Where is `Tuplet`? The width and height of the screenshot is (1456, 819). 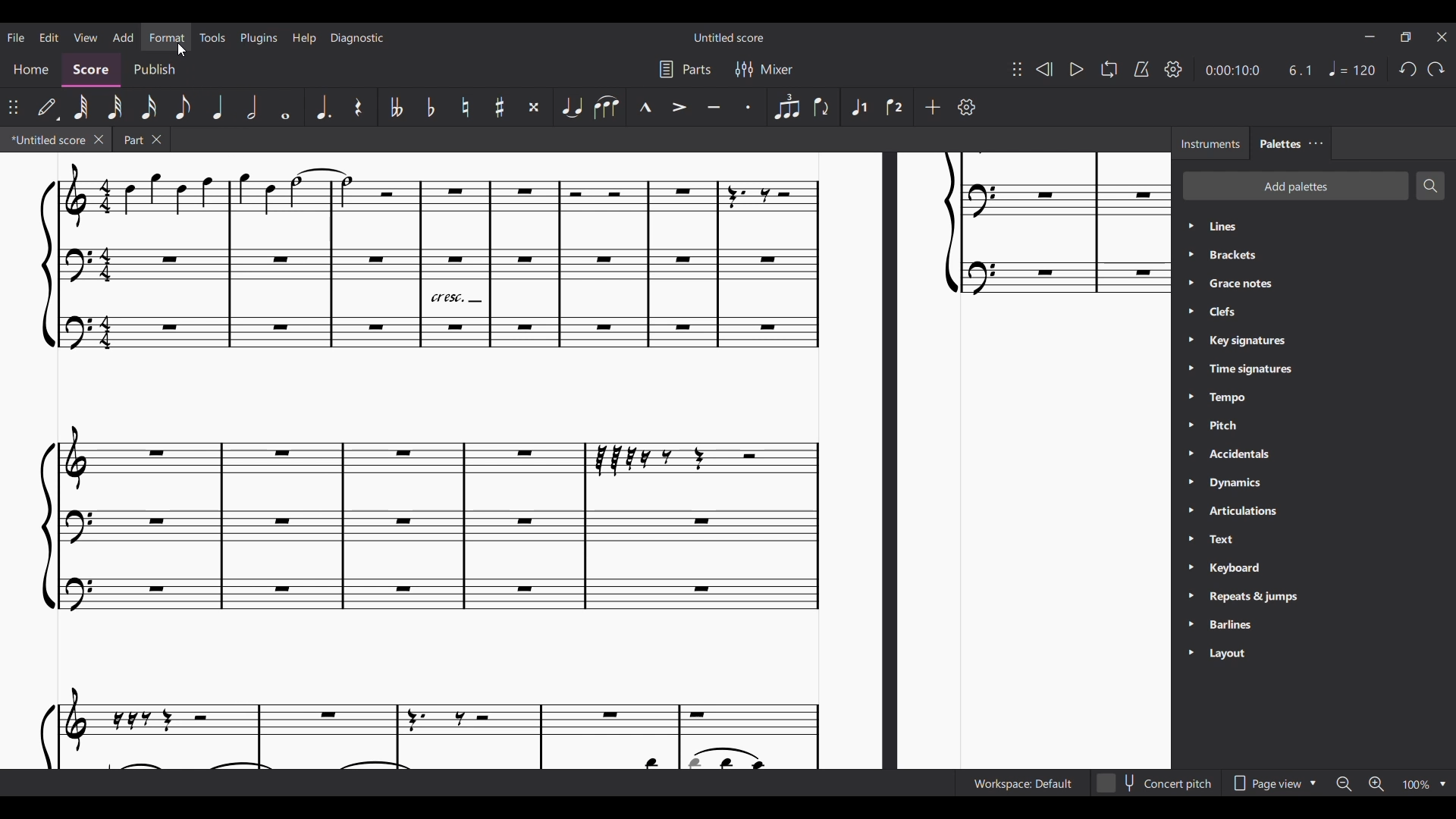
Tuplet is located at coordinates (786, 107).